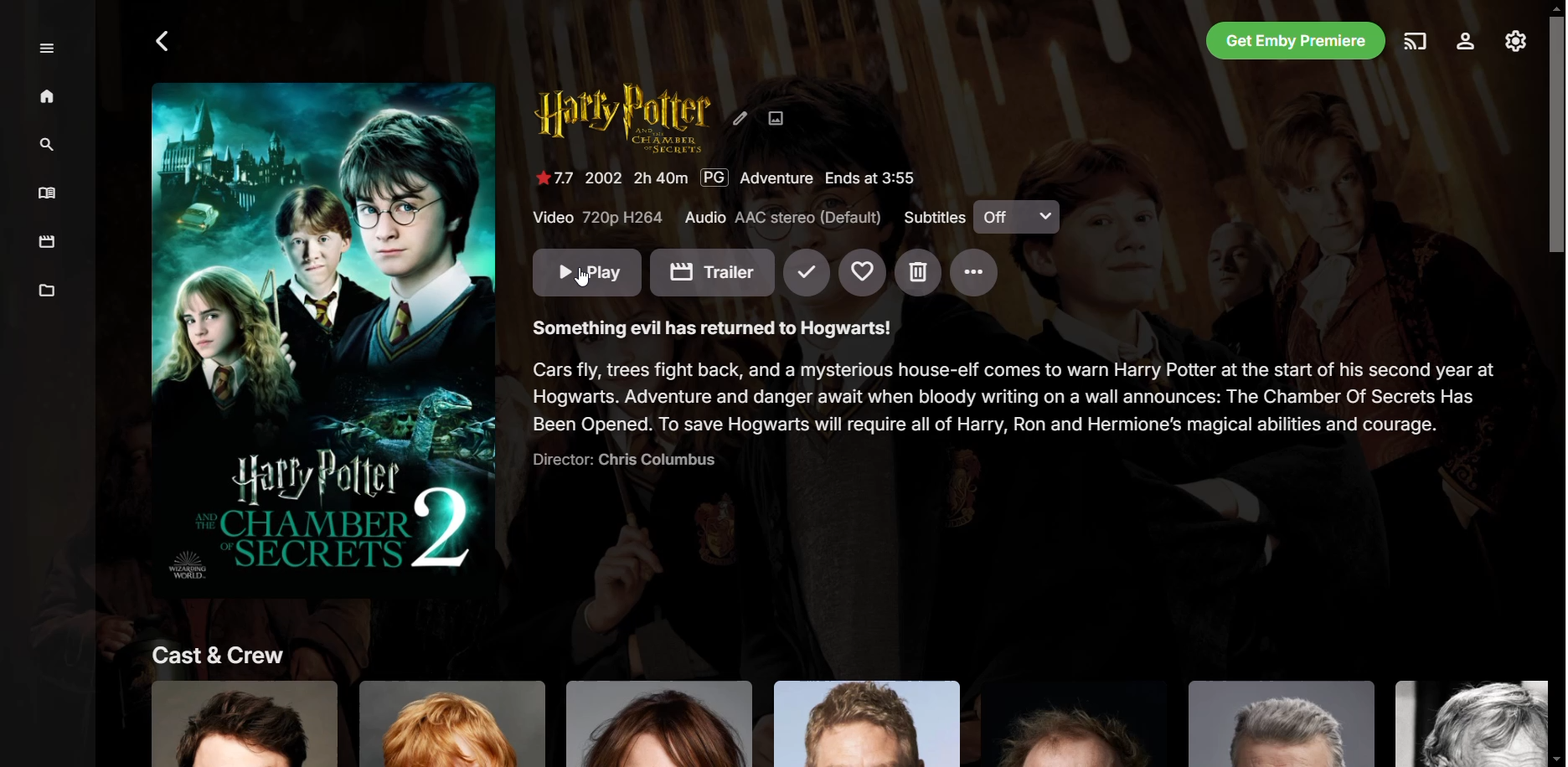 This screenshot has width=1568, height=767. I want to click on More, so click(975, 274).